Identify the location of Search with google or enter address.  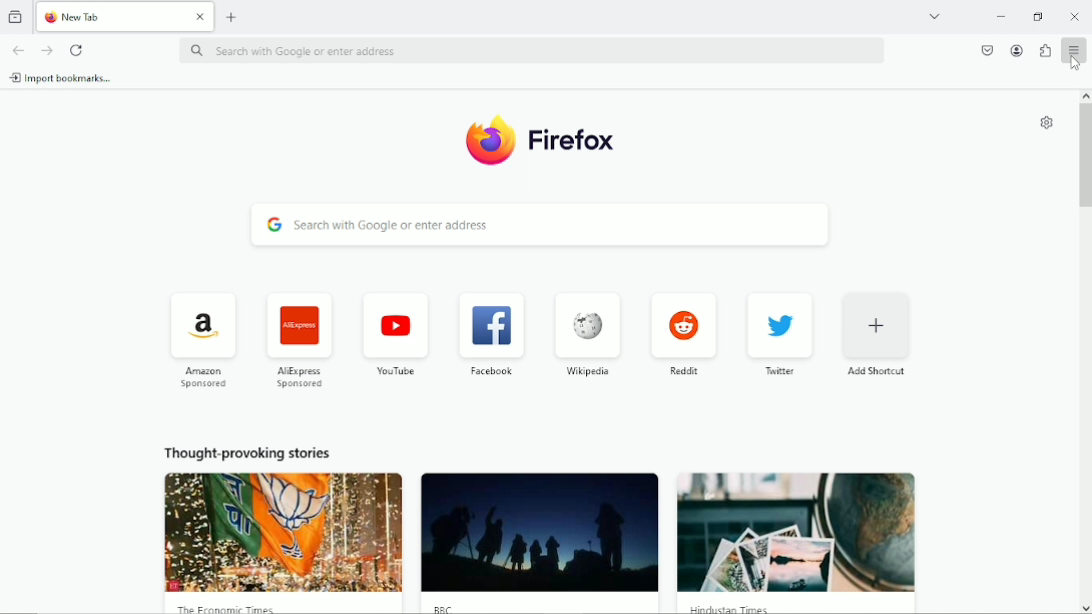
(542, 225).